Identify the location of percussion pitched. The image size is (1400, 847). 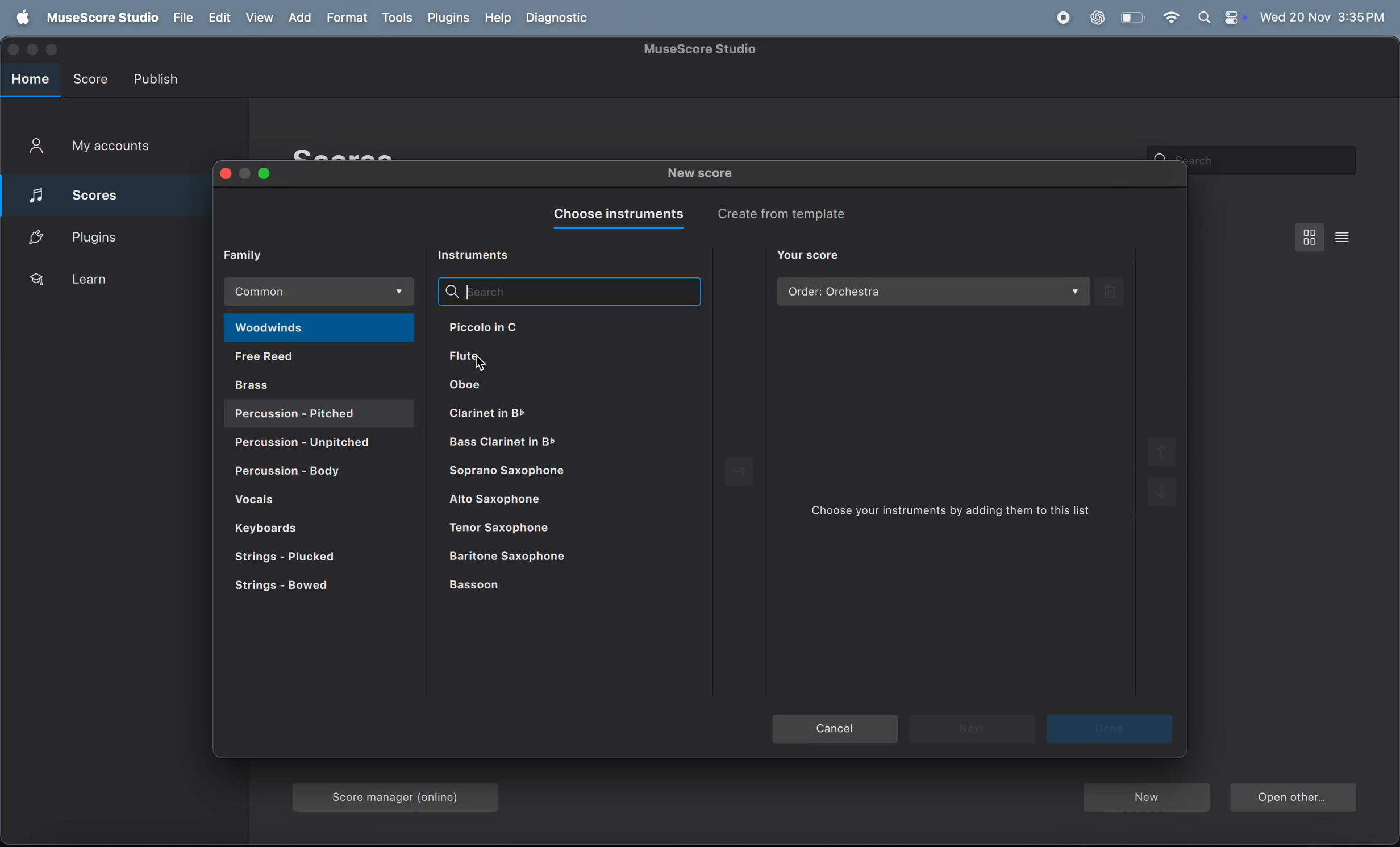
(318, 413).